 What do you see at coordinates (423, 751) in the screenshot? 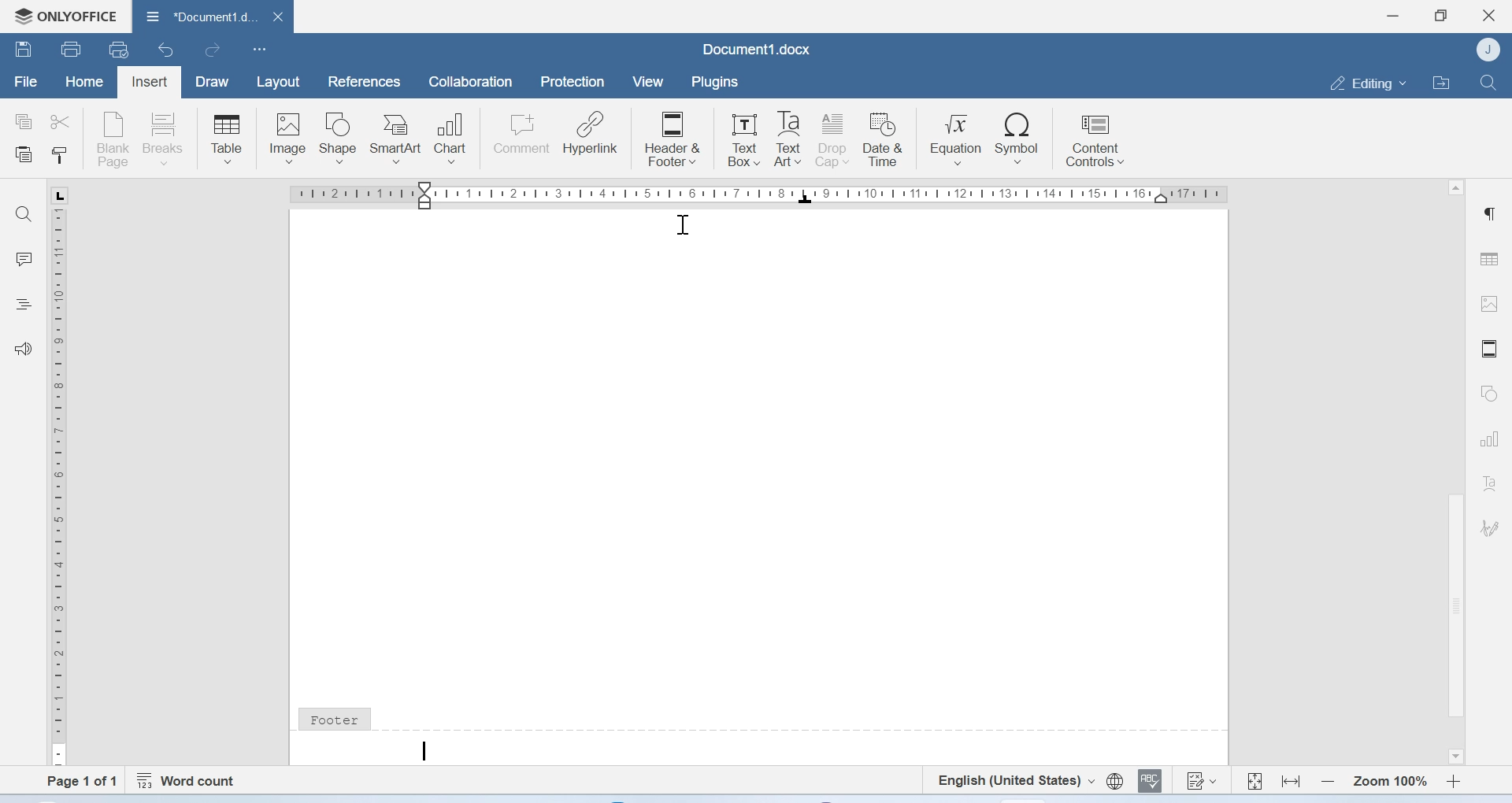
I see `text cursor` at bounding box center [423, 751].